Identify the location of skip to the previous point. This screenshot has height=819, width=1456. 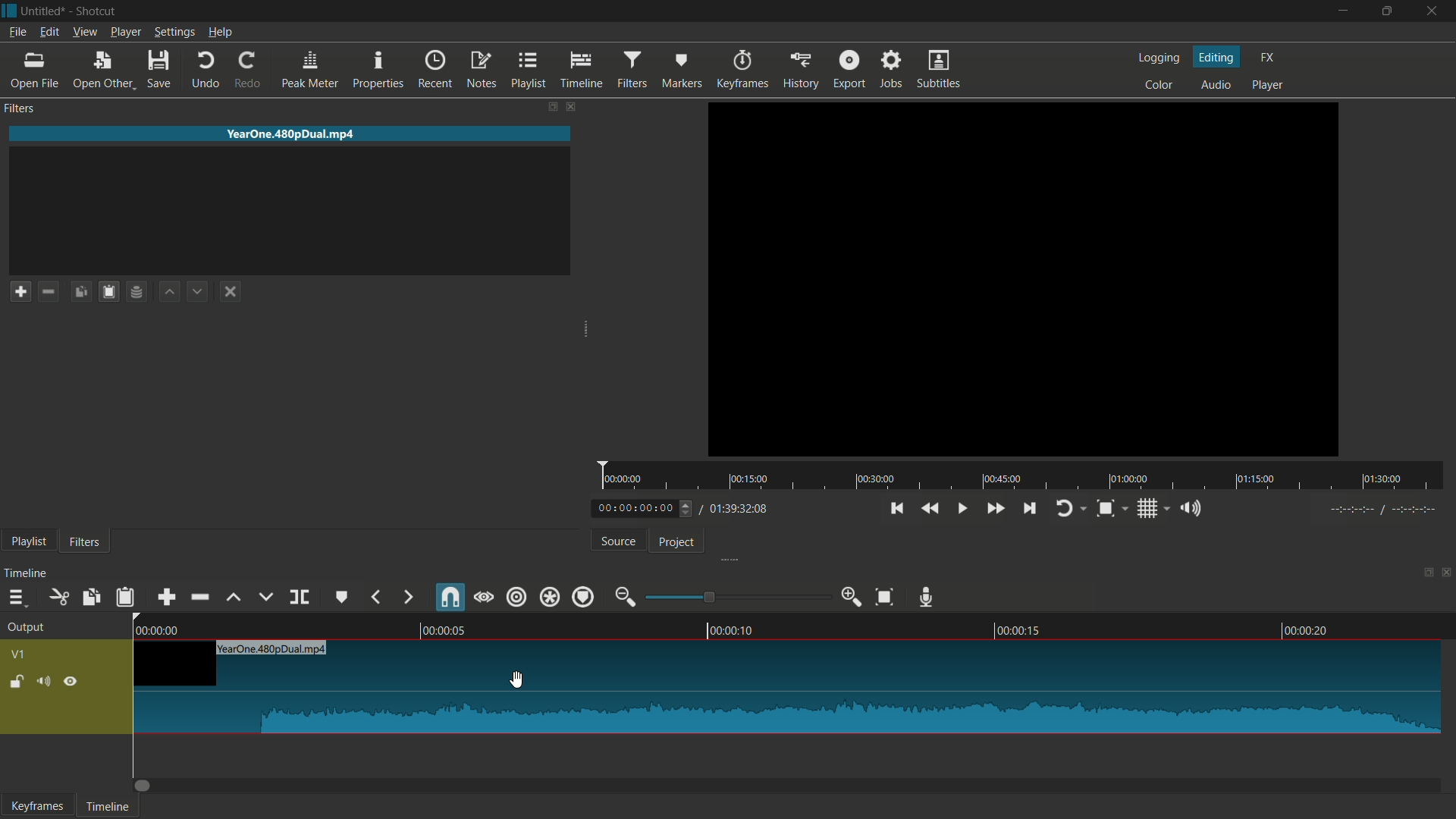
(897, 509).